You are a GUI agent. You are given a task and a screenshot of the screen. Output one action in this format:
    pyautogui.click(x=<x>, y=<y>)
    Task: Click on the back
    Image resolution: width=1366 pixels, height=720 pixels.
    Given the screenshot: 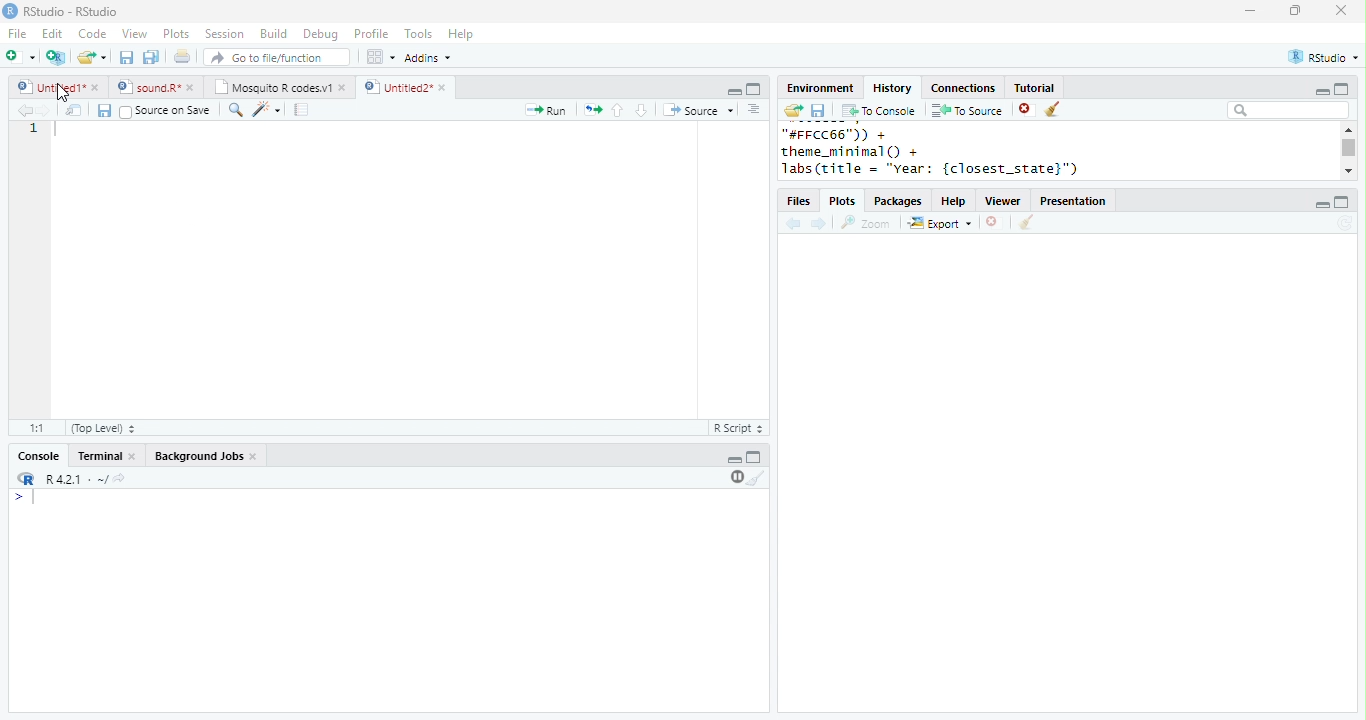 What is the action you would take?
    pyautogui.click(x=23, y=110)
    